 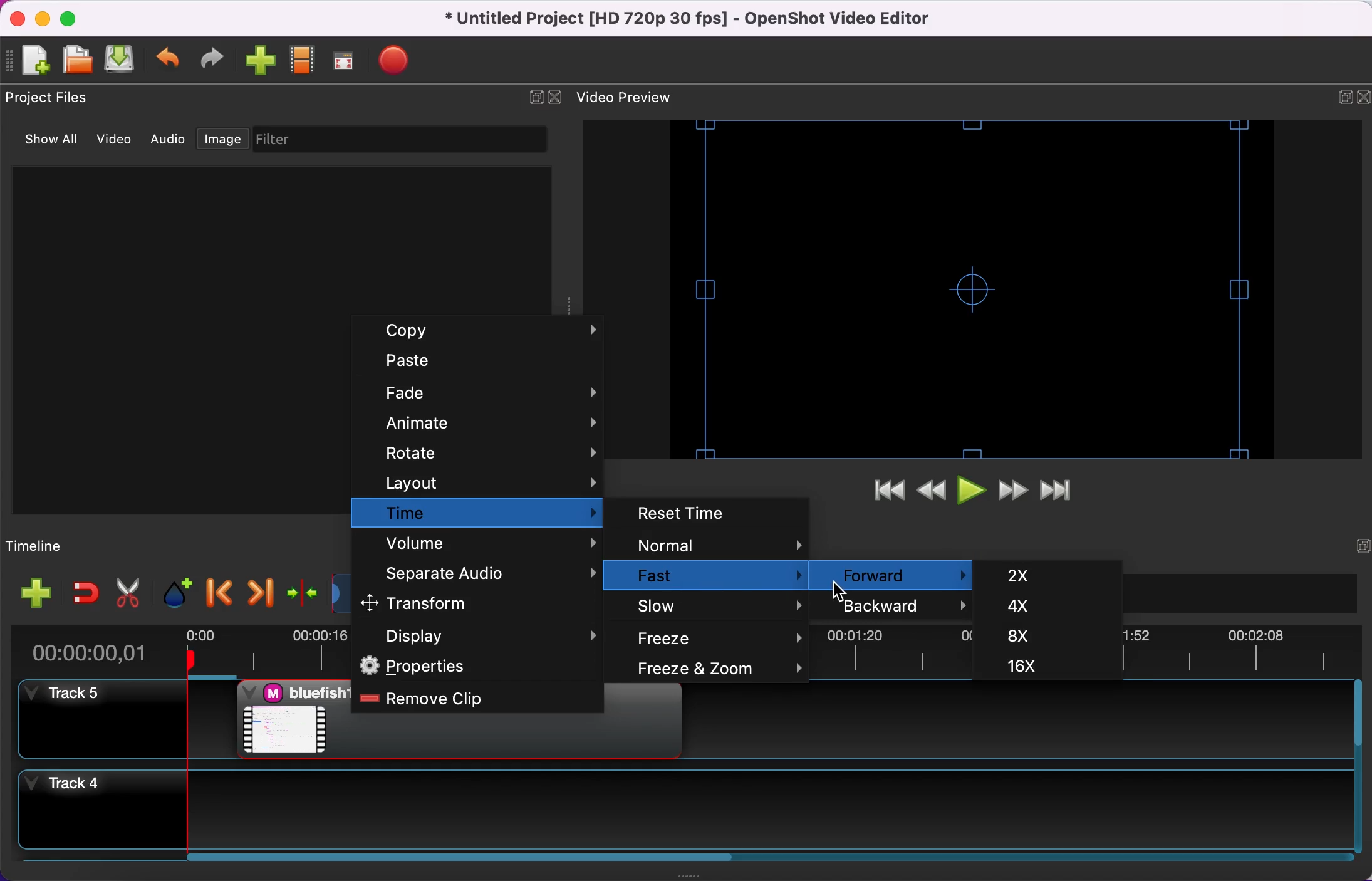 I want to click on forward, so click(x=895, y=576).